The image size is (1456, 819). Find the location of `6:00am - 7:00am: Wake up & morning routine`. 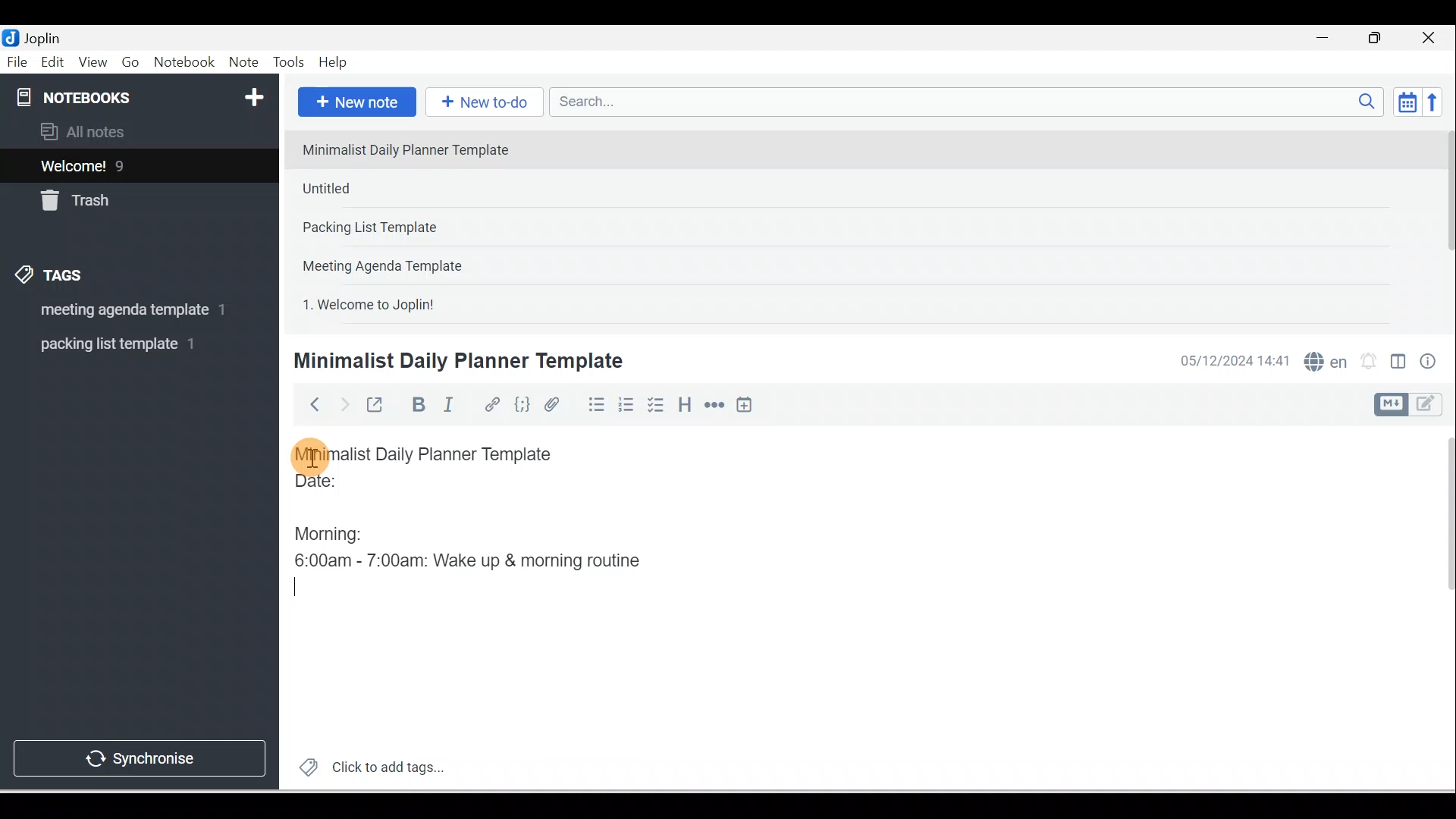

6:00am - 7:00am: Wake up & morning routine is located at coordinates (472, 560).